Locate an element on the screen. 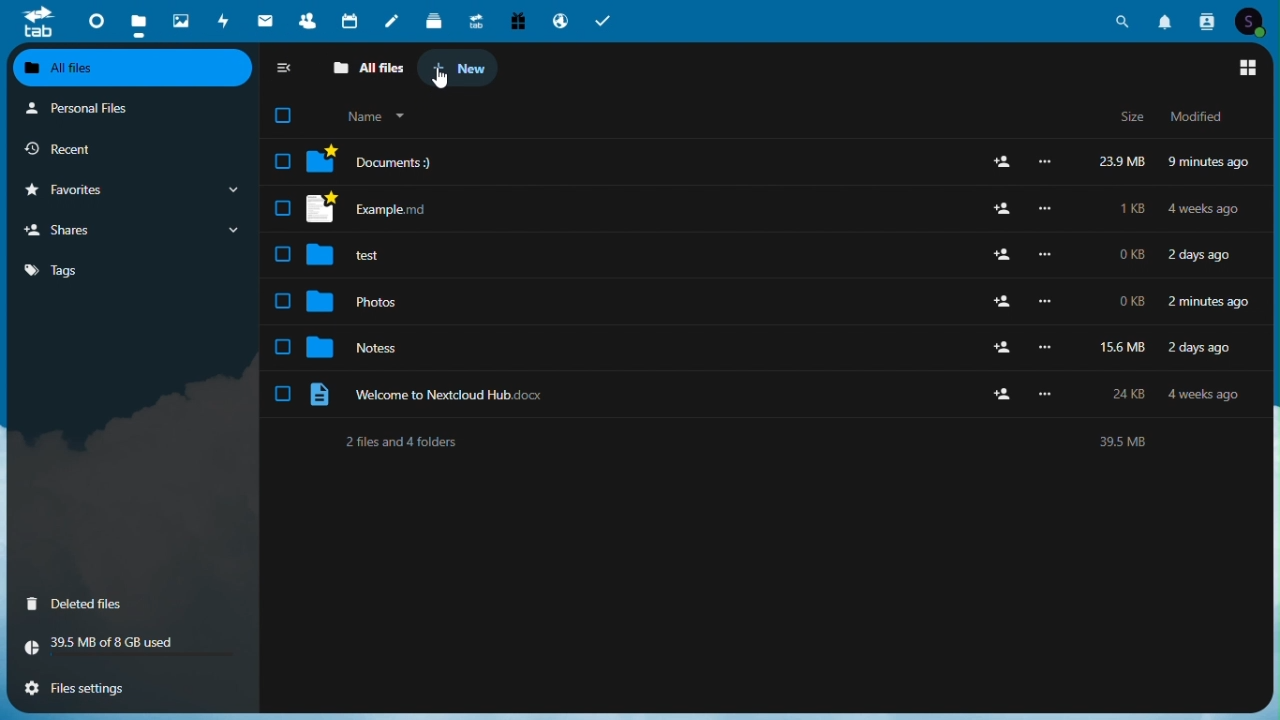 This screenshot has width=1280, height=720. File is located at coordinates (785, 161).